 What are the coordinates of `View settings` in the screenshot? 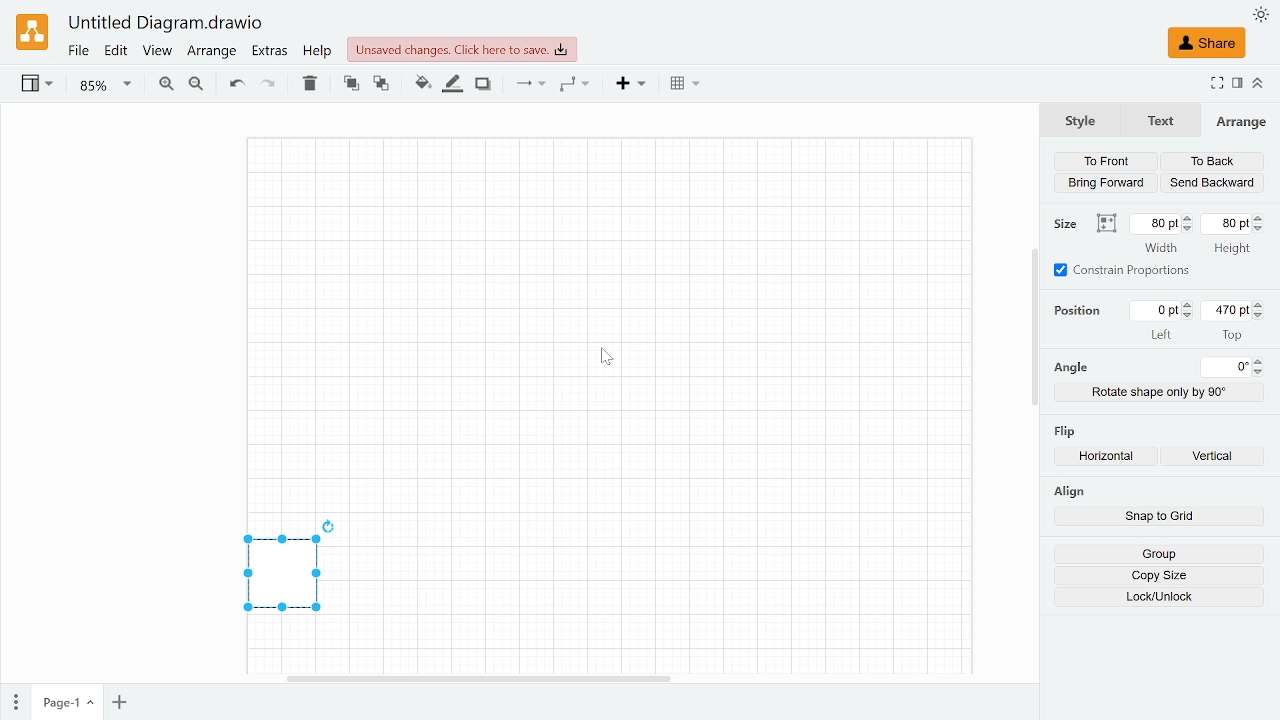 It's located at (35, 85).